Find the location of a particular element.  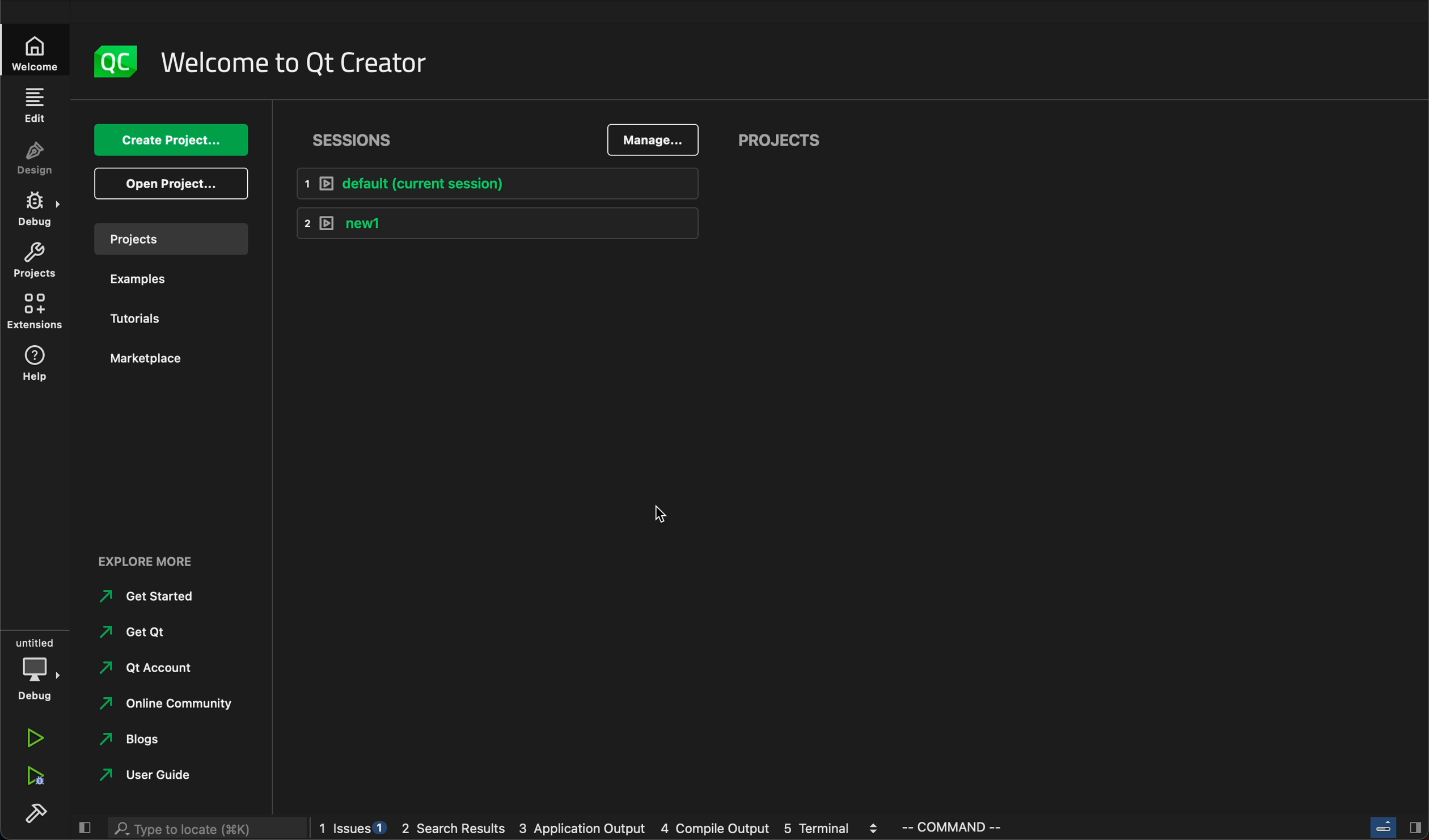

close slide bar is located at coordinates (83, 829).